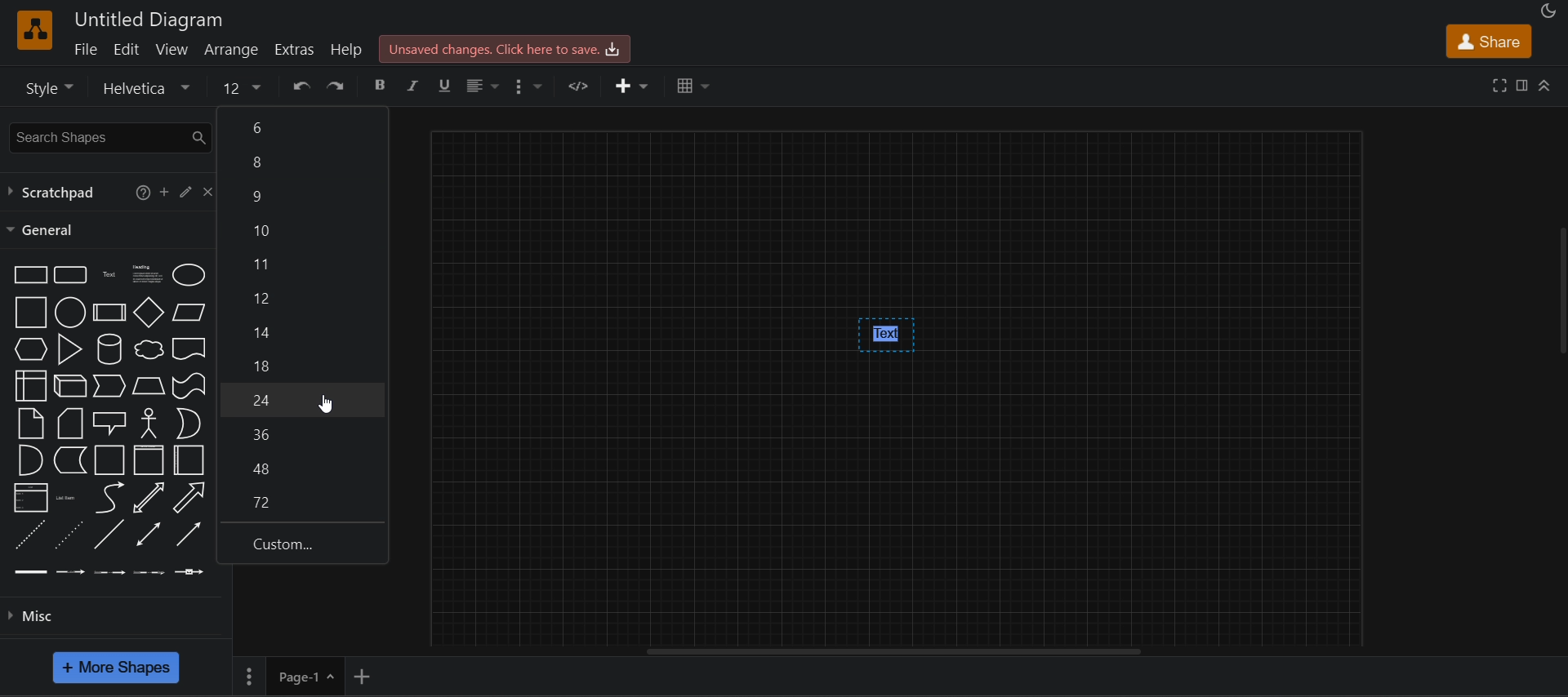 The width and height of the screenshot is (1568, 697). What do you see at coordinates (110, 498) in the screenshot?
I see `Curve` at bounding box center [110, 498].